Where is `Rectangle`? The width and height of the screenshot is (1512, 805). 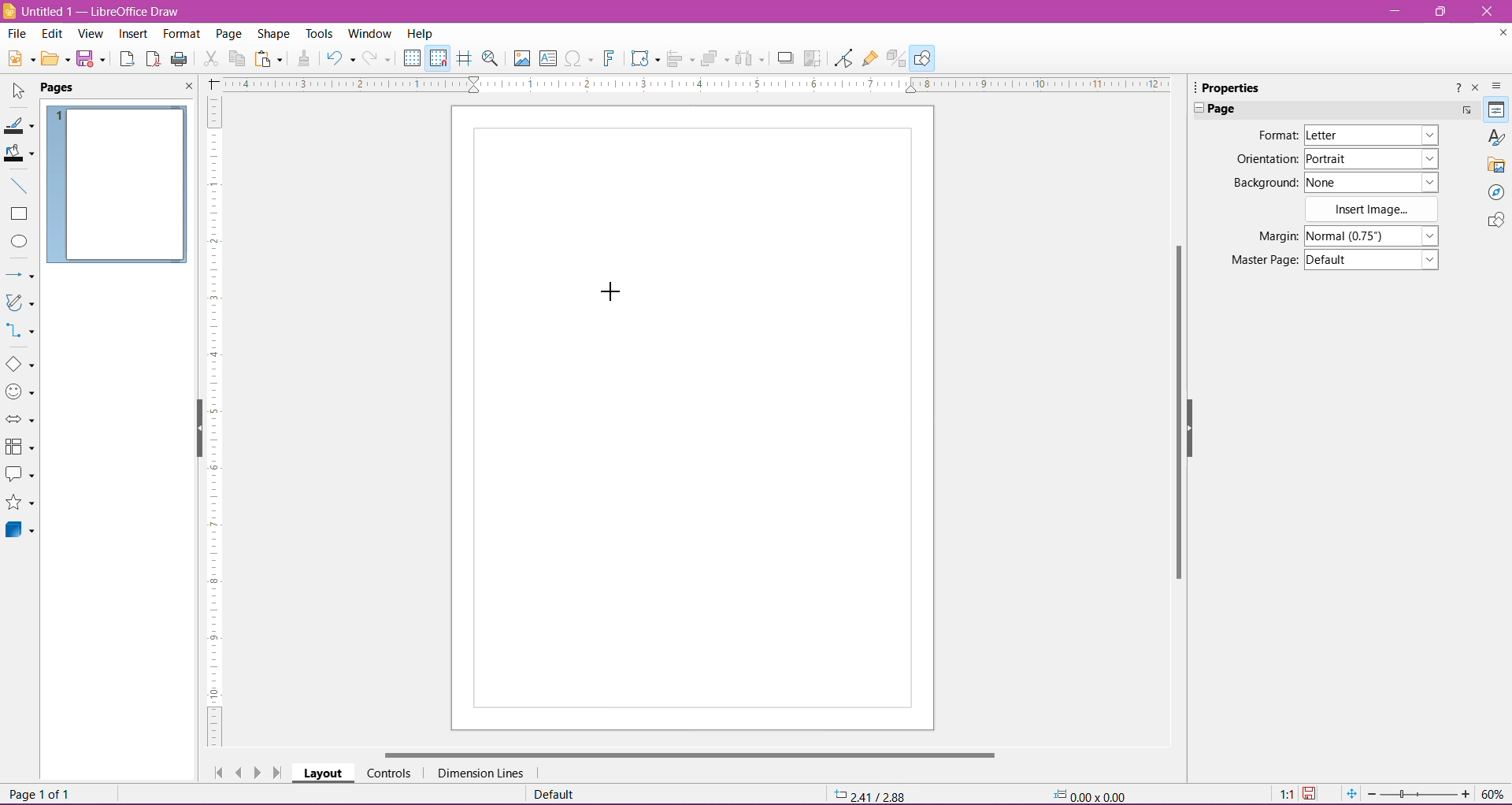 Rectangle is located at coordinates (19, 214).